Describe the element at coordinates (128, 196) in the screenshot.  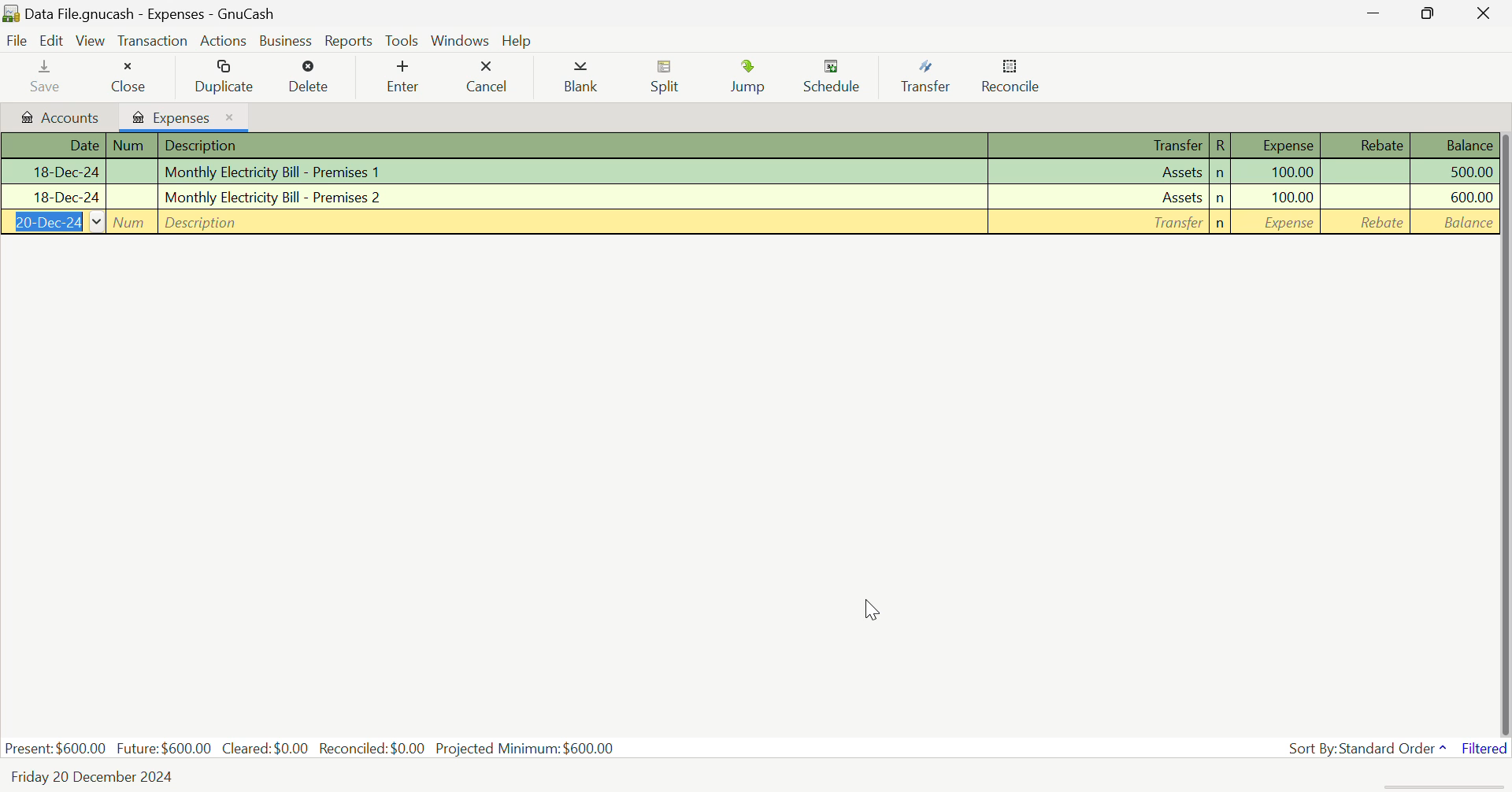
I see `Num` at that location.